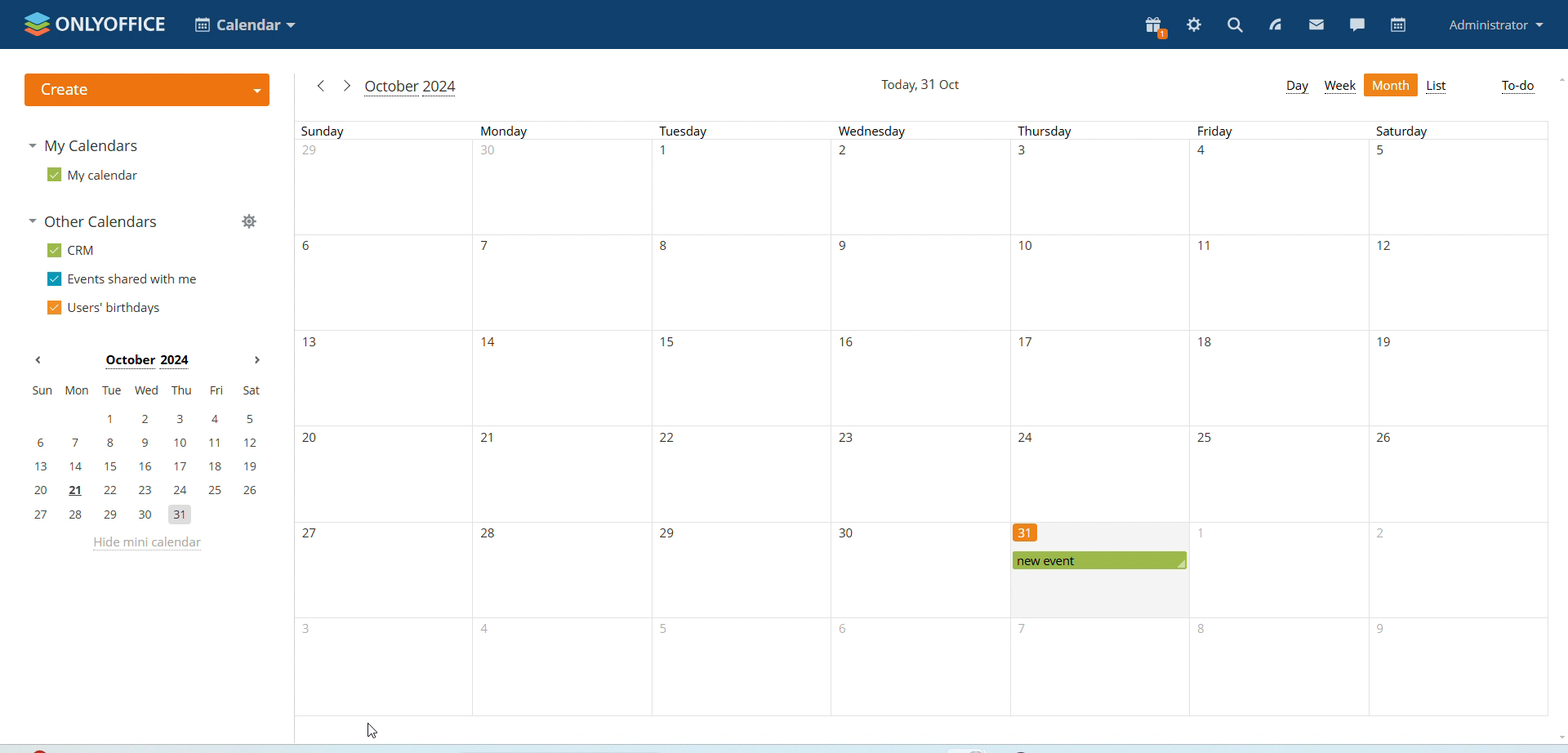 The image size is (1568, 753). What do you see at coordinates (380, 417) in the screenshot?
I see `Sundays` at bounding box center [380, 417].